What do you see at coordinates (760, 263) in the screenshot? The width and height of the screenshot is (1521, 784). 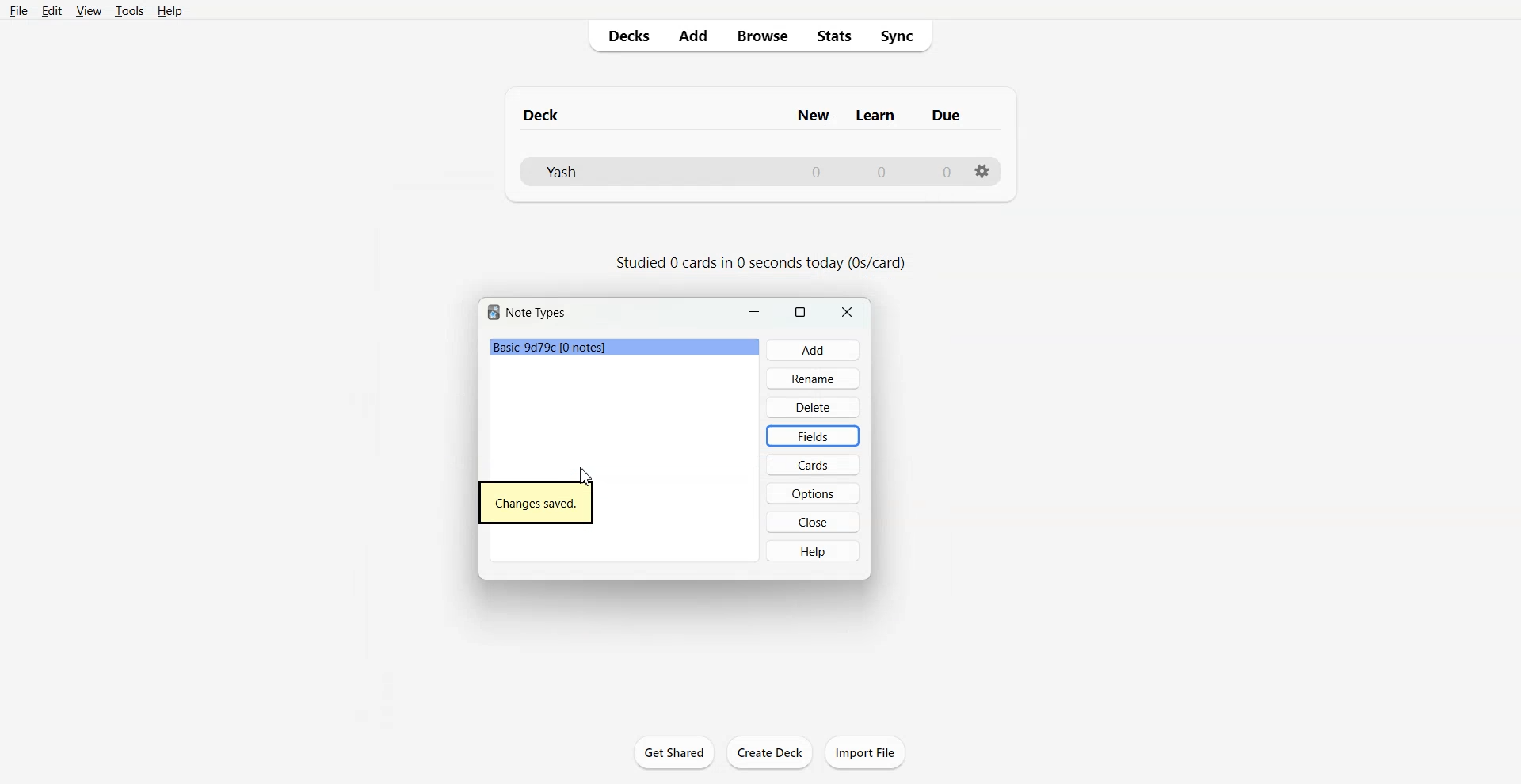 I see `Text 2` at bounding box center [760, 263].